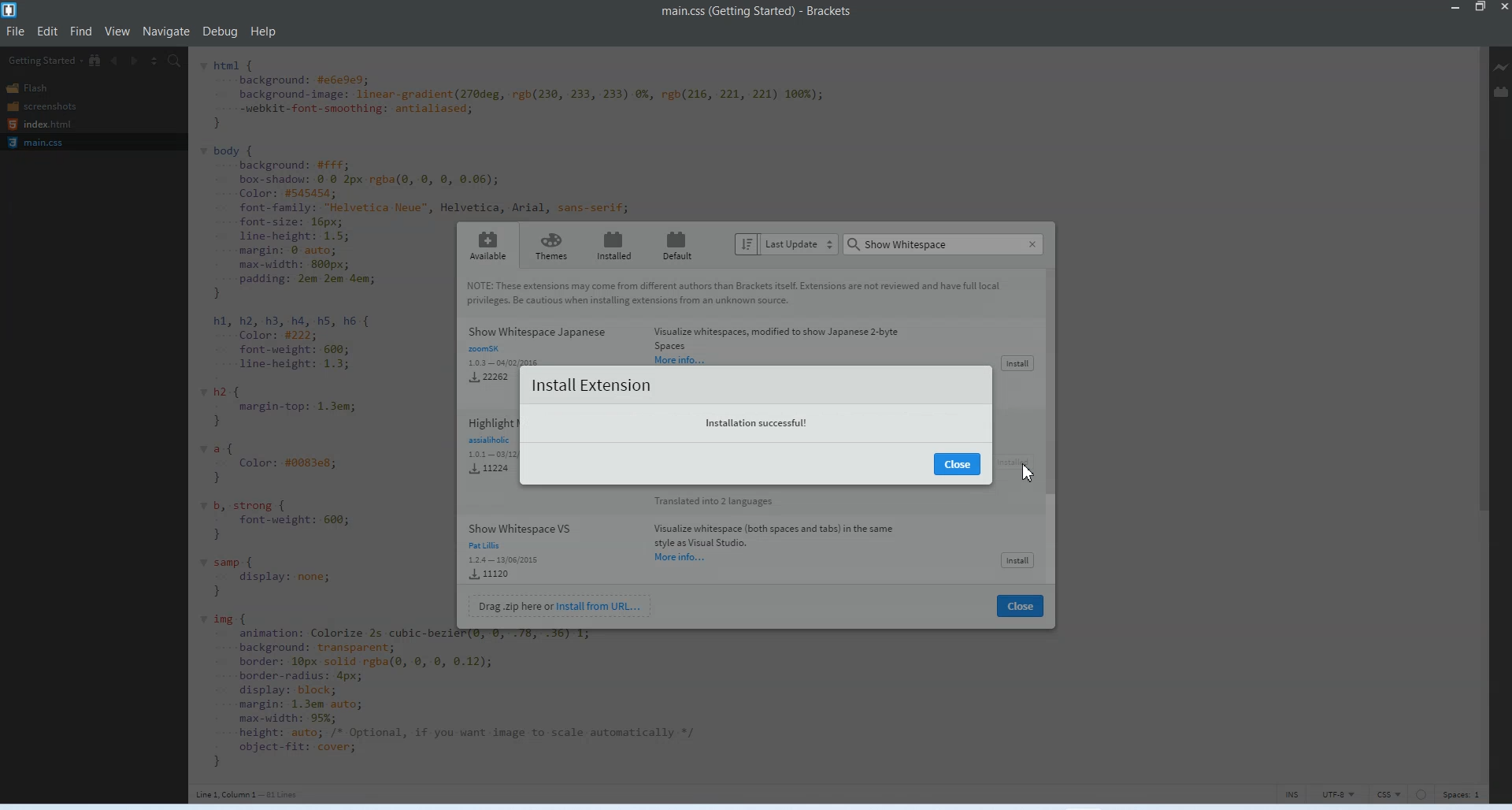 The height and width of the screenshot is (810, 1512). I want to click on Cursor, so click(1024, 473).